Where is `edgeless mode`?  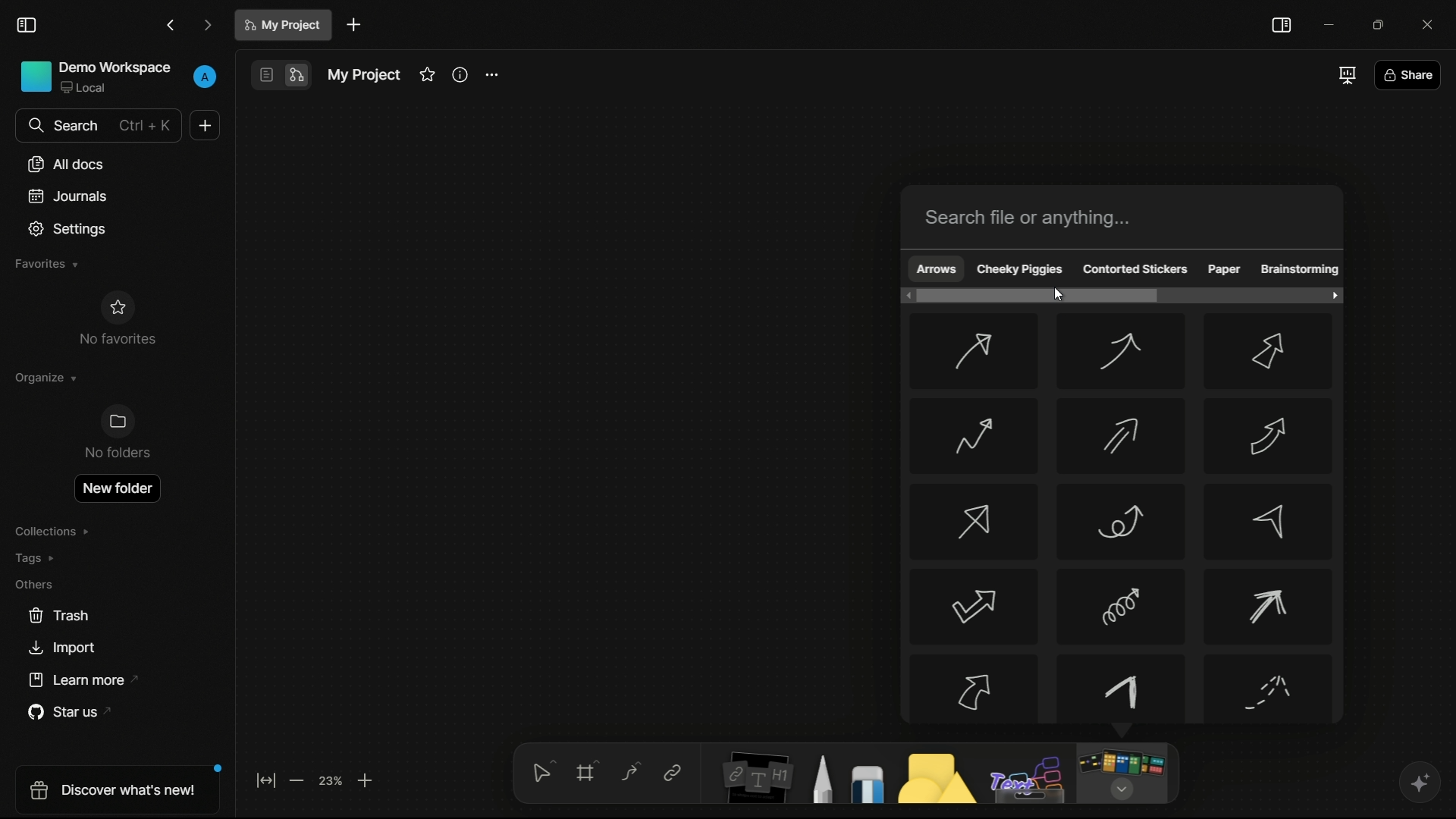 edgeless mode is located at coordinates (295, 76).